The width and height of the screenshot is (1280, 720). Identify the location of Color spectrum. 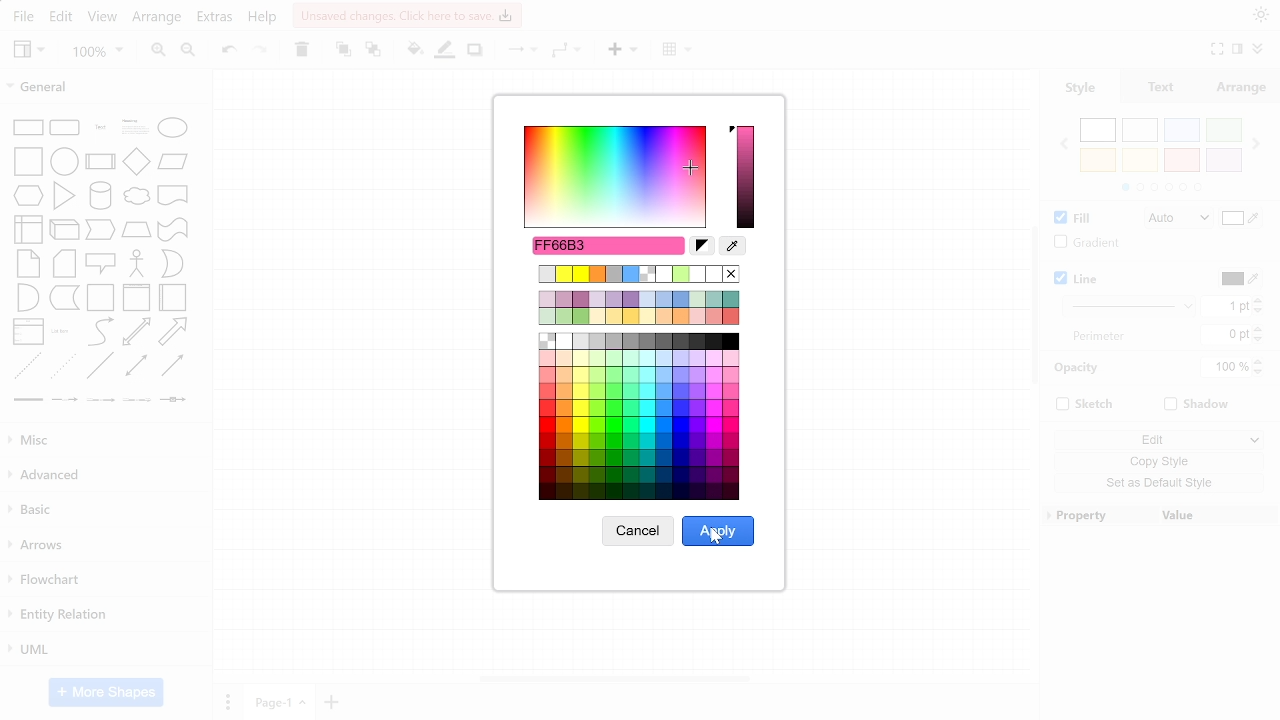
(612, 175).